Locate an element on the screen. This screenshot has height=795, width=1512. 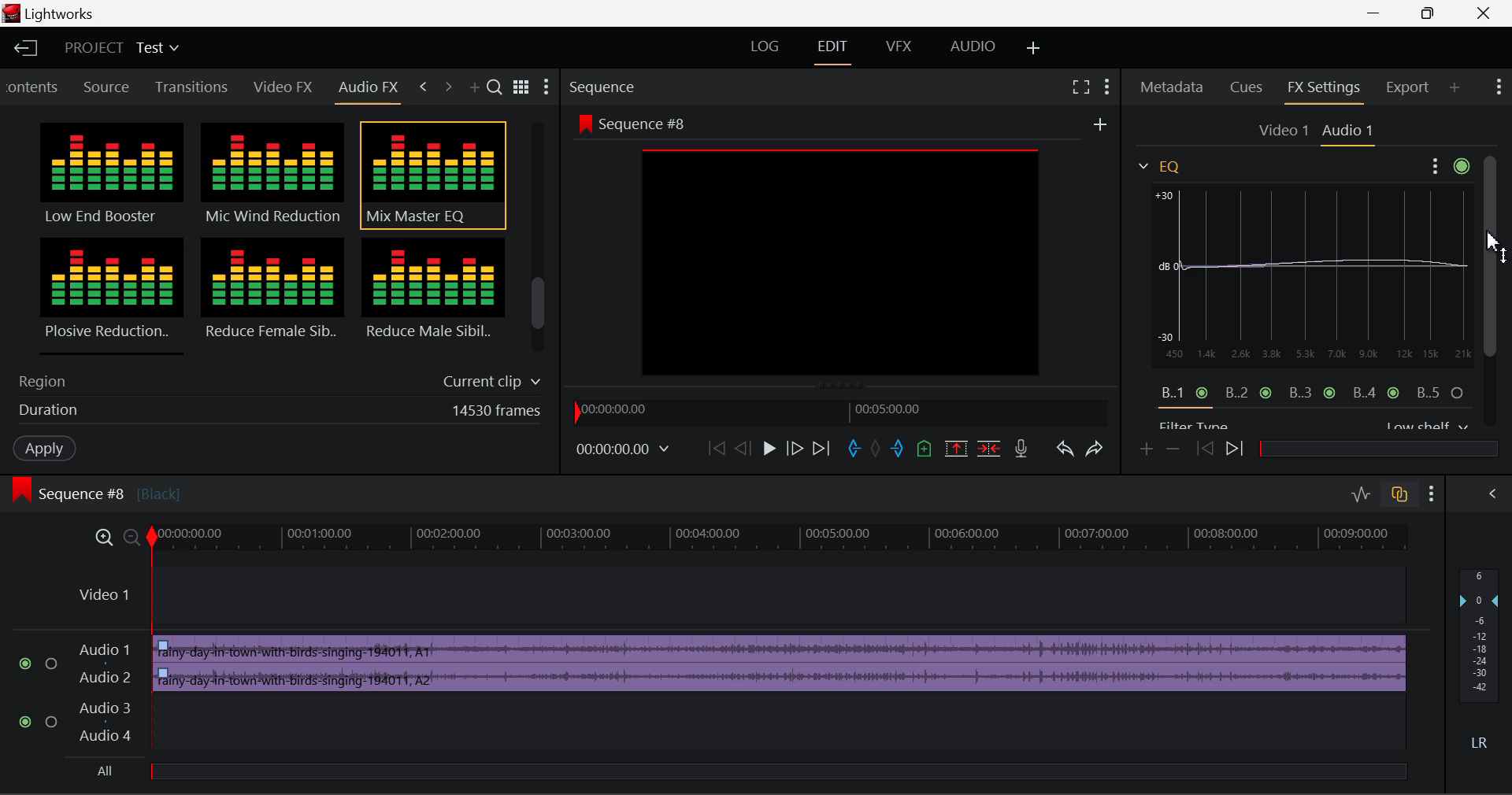
Minimize is located at coordinates (1435, 13).